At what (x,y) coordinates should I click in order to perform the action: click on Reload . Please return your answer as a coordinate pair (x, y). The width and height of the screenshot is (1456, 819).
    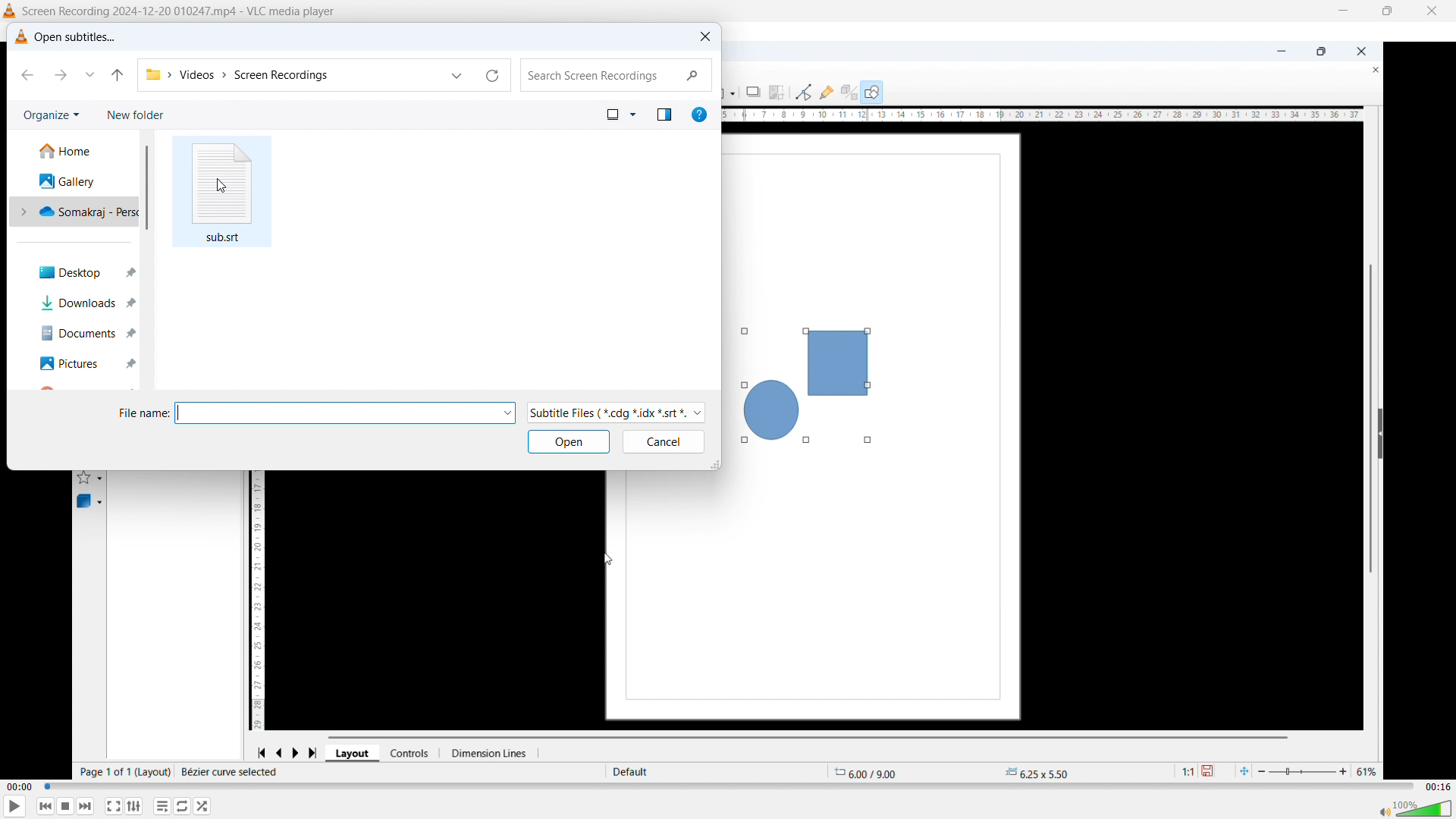
    Looking at the image, I should click on (495, 76).